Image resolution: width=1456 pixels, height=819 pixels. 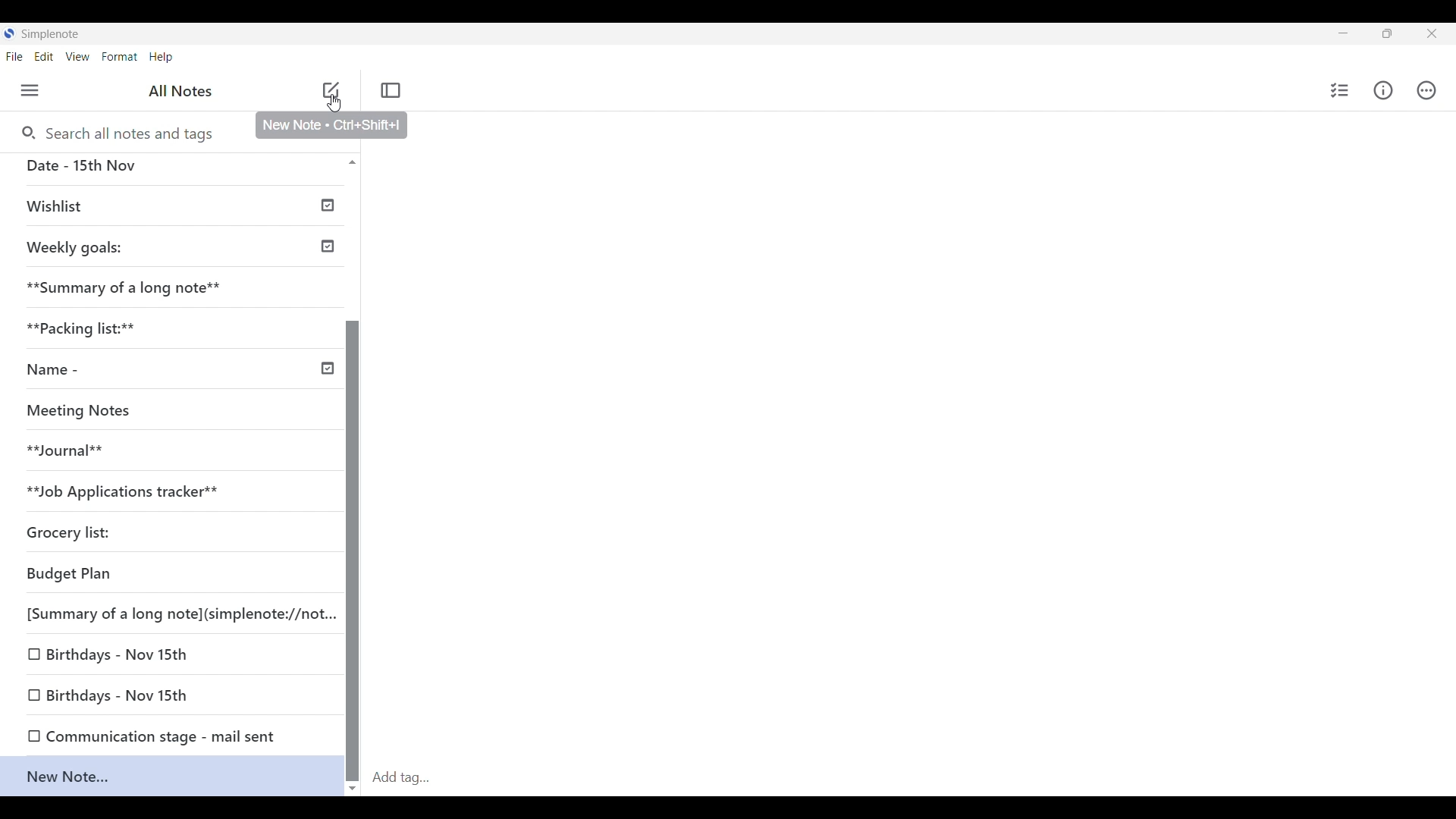 What do you see at coordinates (78, 56) in the screenshot?
I see `Views menu` at bounding box center [78, 56].